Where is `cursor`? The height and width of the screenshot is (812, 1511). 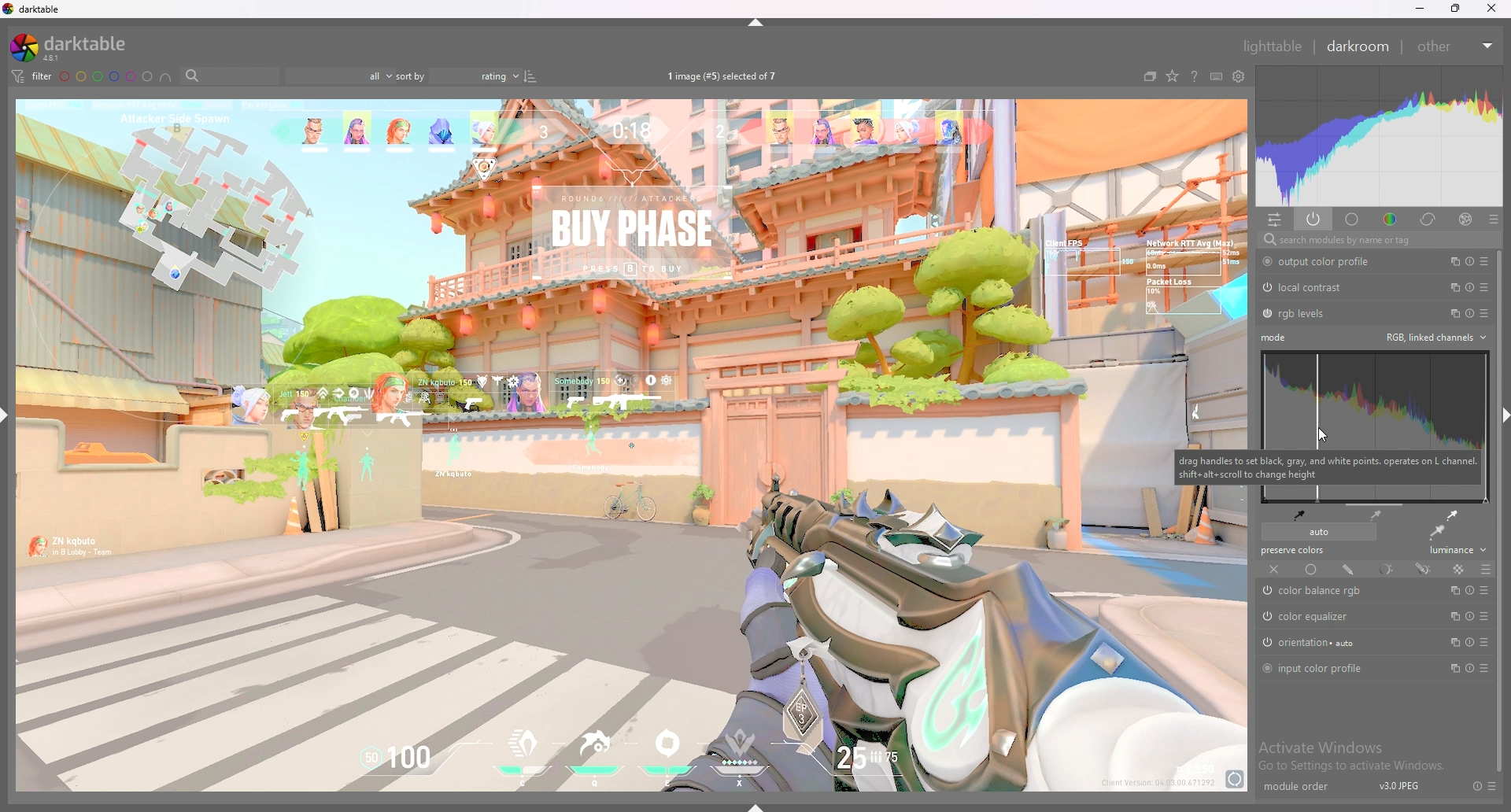 cursor is located at coordinates (1321, 435).